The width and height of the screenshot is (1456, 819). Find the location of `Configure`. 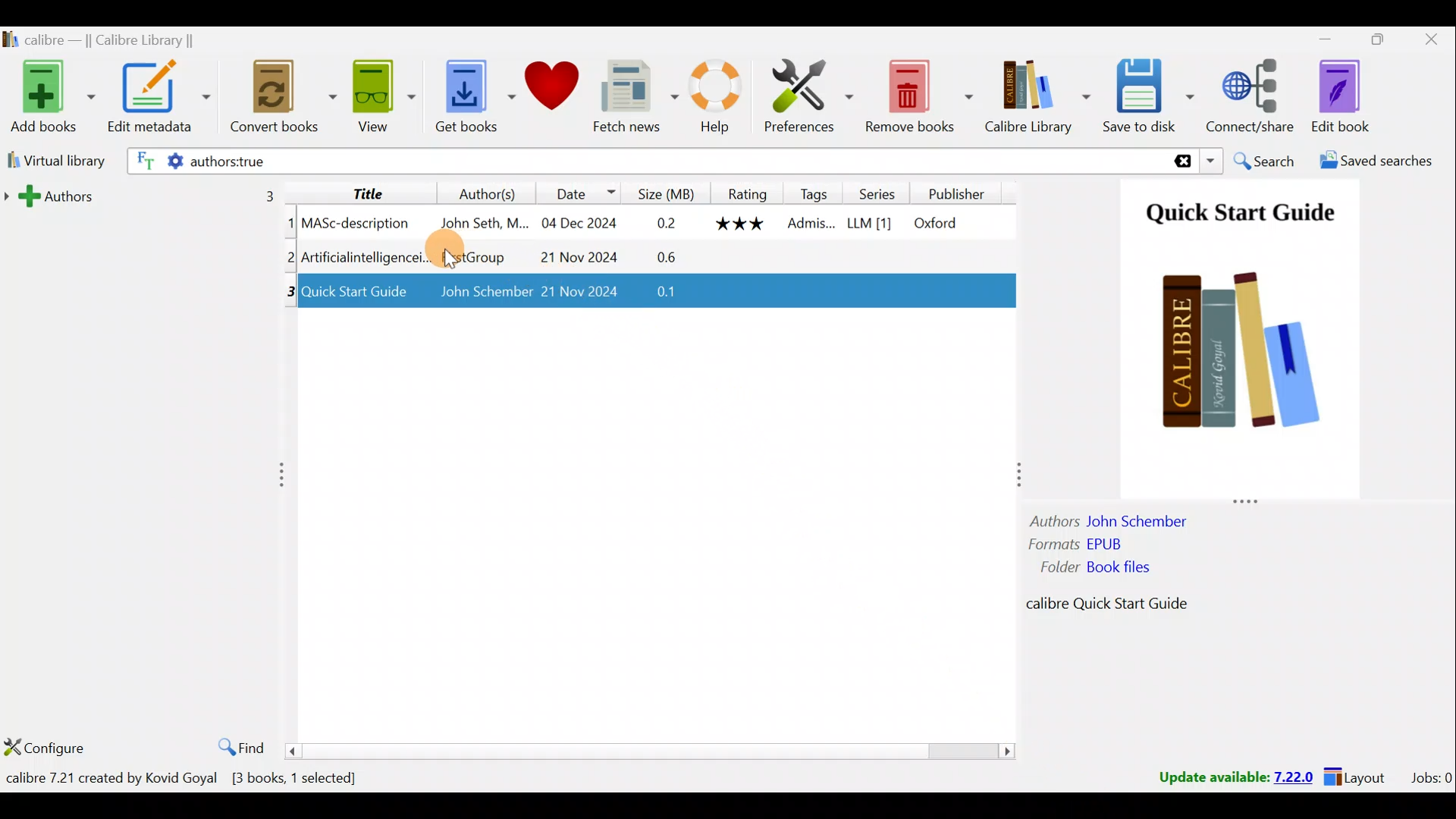

Configure is located at coordinates (45, 742).